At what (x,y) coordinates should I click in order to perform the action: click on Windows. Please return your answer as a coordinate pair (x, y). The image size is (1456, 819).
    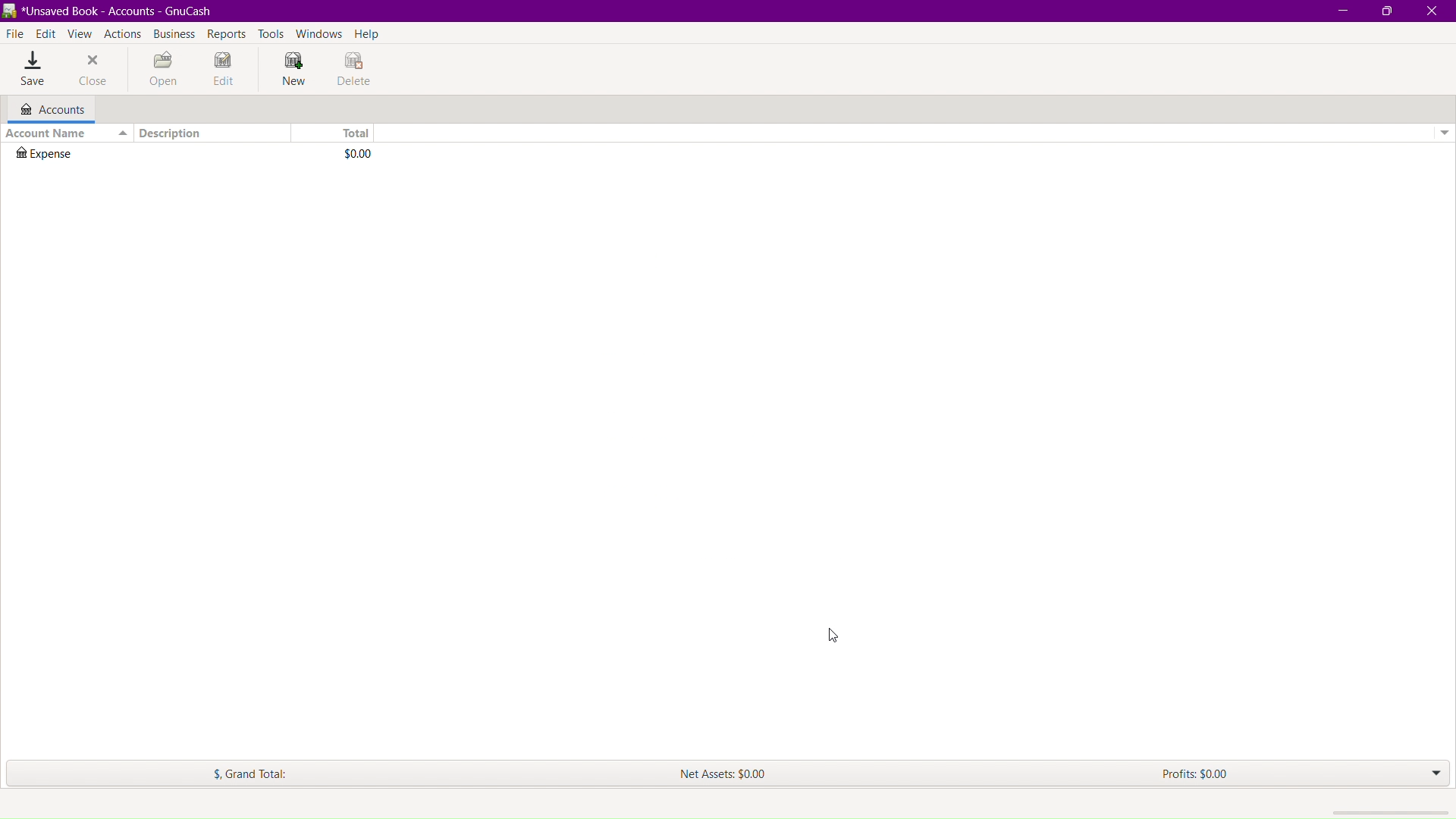
    Looking at the image, I should click on (319, 32).